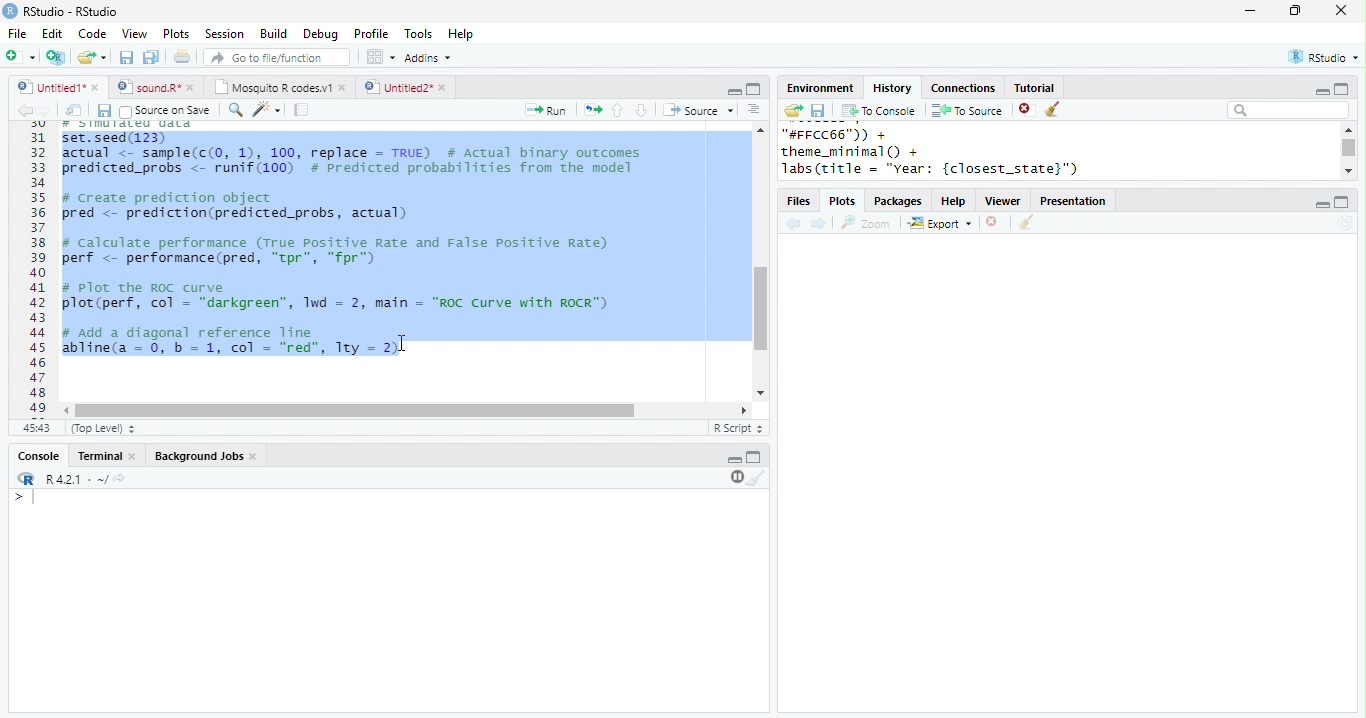  I want to click on # calculate performance (True Positive Rate and False Positive Rate)
perf <- performance(pred, “tpr", “fpr"), so click(334, 251).